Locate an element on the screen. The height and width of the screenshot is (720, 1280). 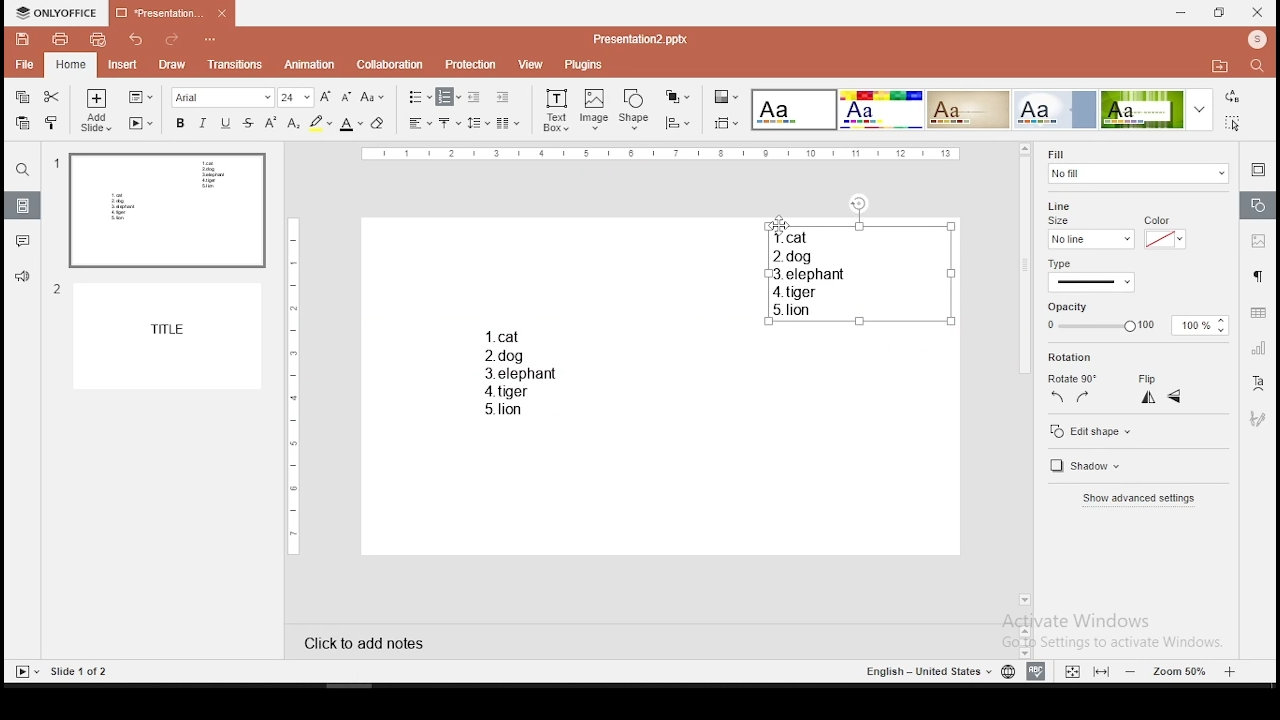
italics is located at coordinates (203, 122).